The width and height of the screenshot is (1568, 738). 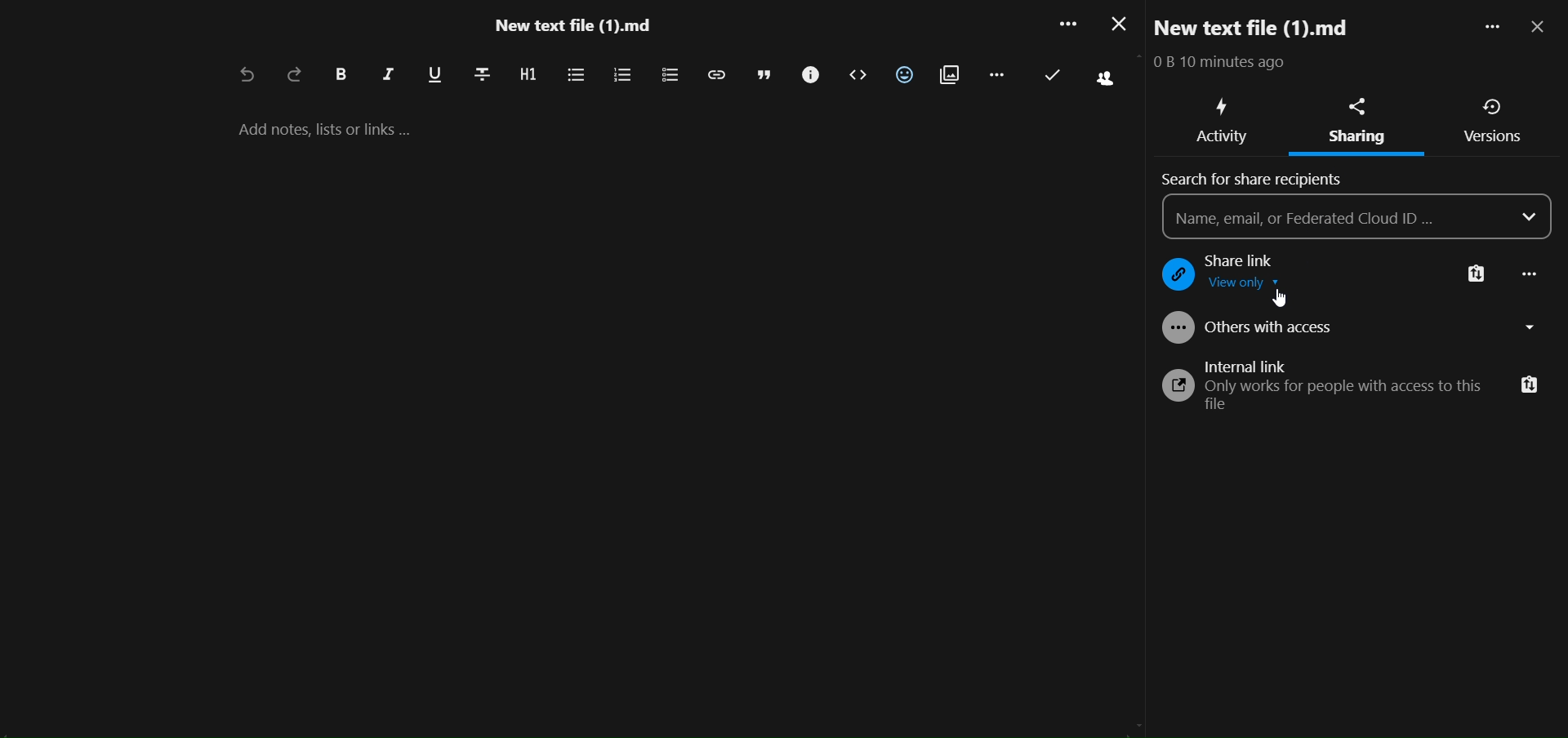 What do you see at coordinates (1173, 276) in the screenshot?
I see `logo` at bounding box center [1173, 276].